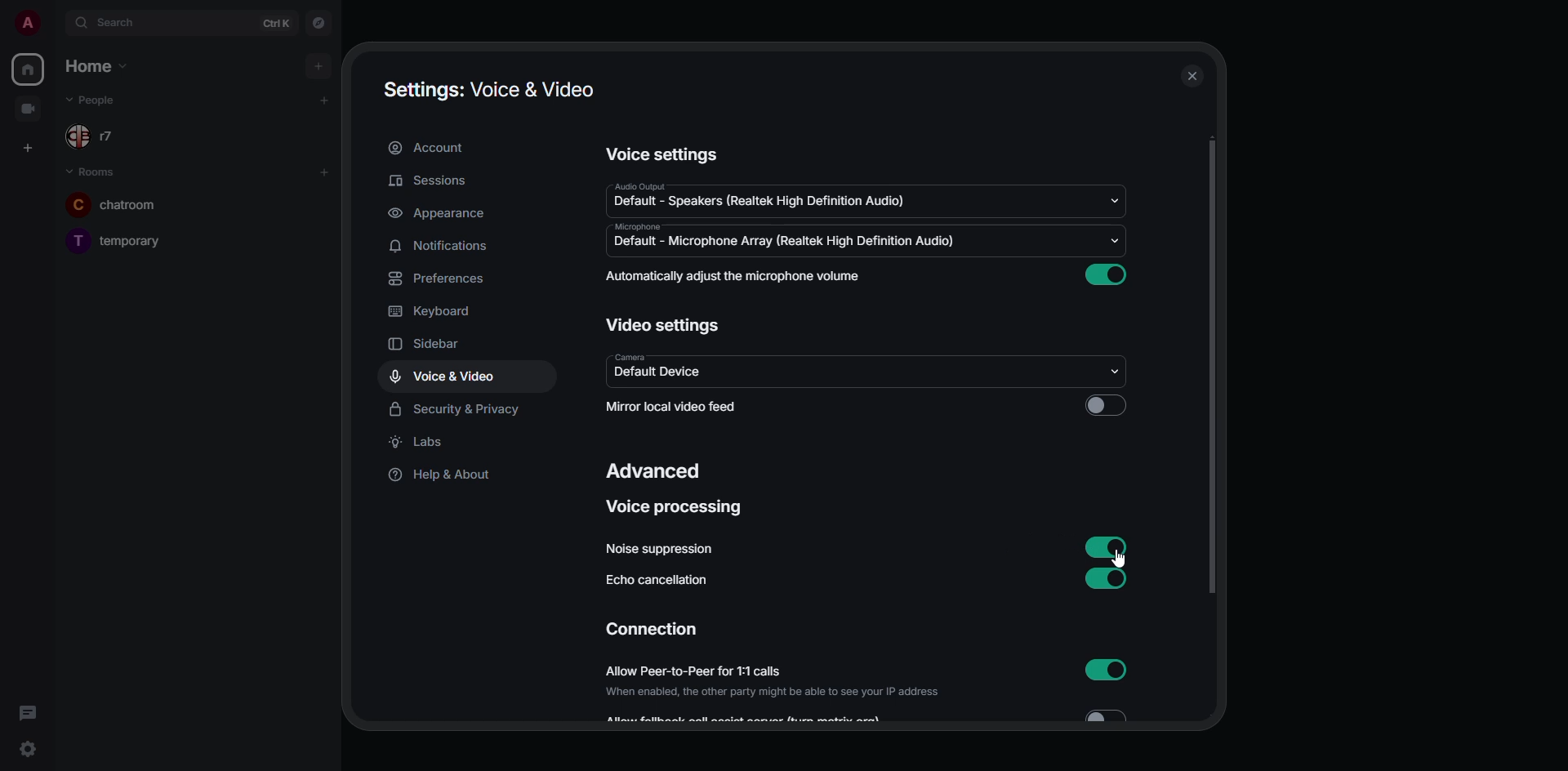  I want to click on sidebar, so click(437, 345).